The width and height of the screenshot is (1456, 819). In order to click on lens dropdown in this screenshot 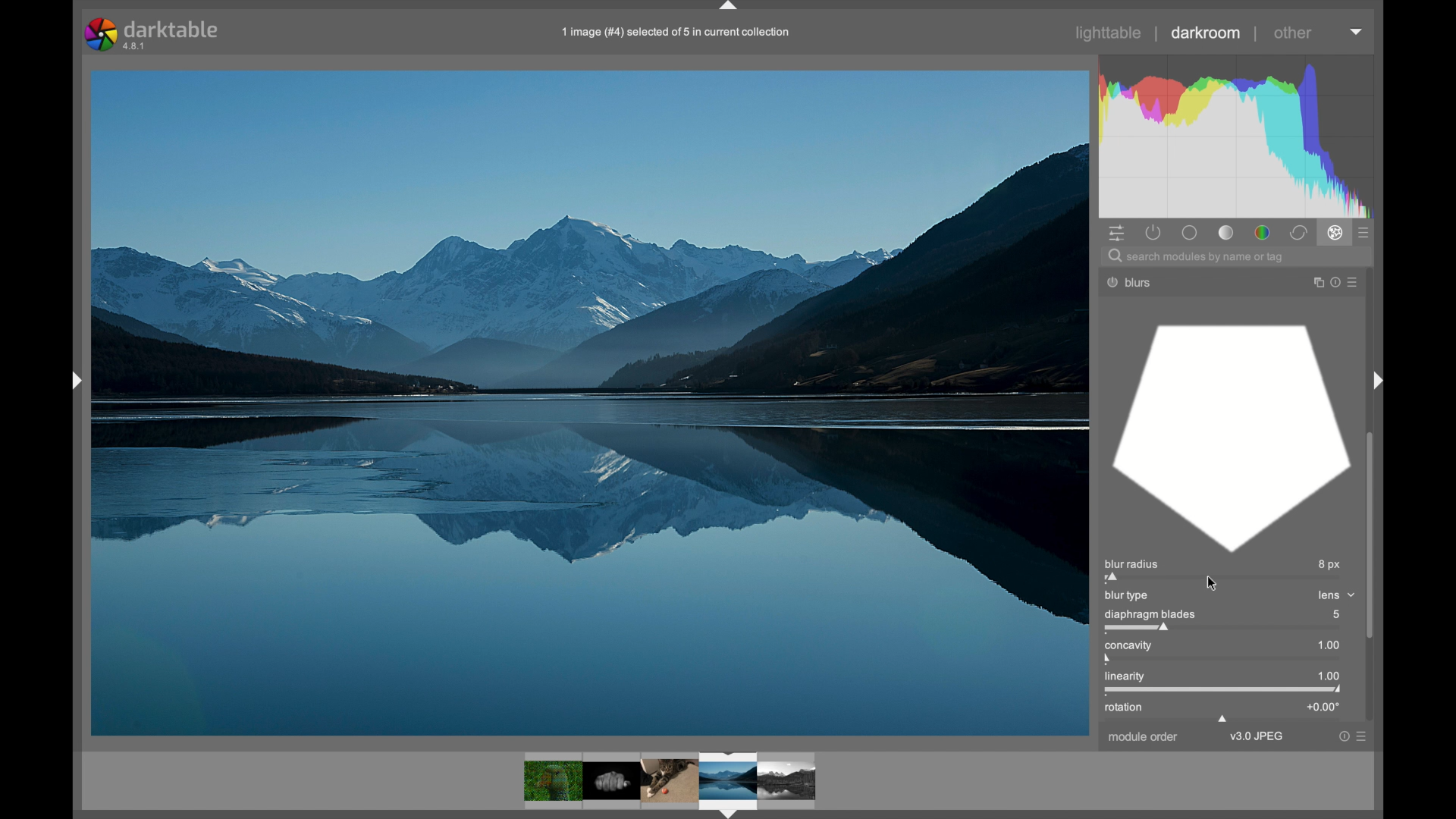, I will do `click(1336, 595)`.